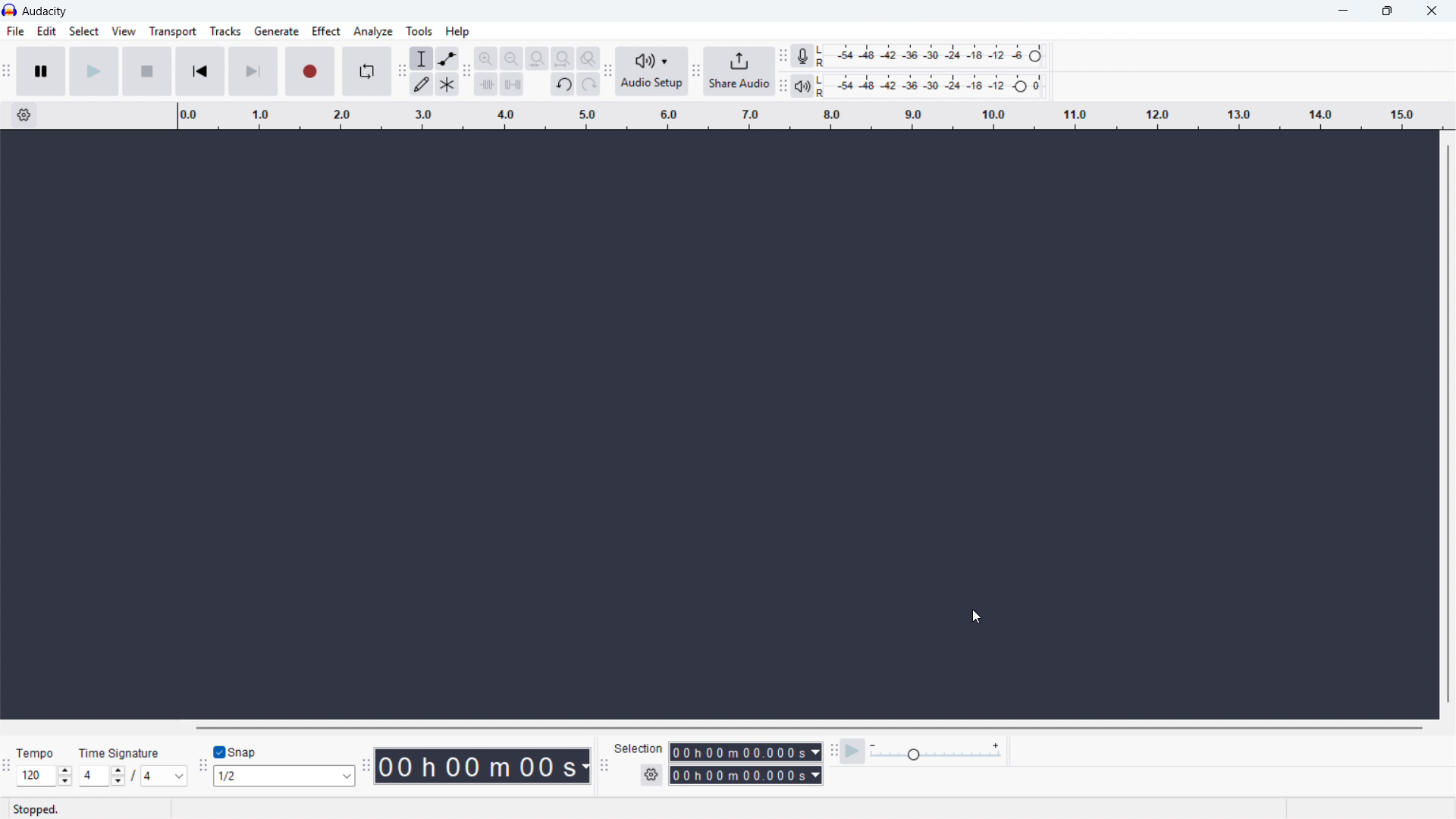 The height and width of the screenshot is (819, 1456). What do you see at coordinates (739, 71) in the screenshot?
I see `share audio` at bounding box center [739, 71].